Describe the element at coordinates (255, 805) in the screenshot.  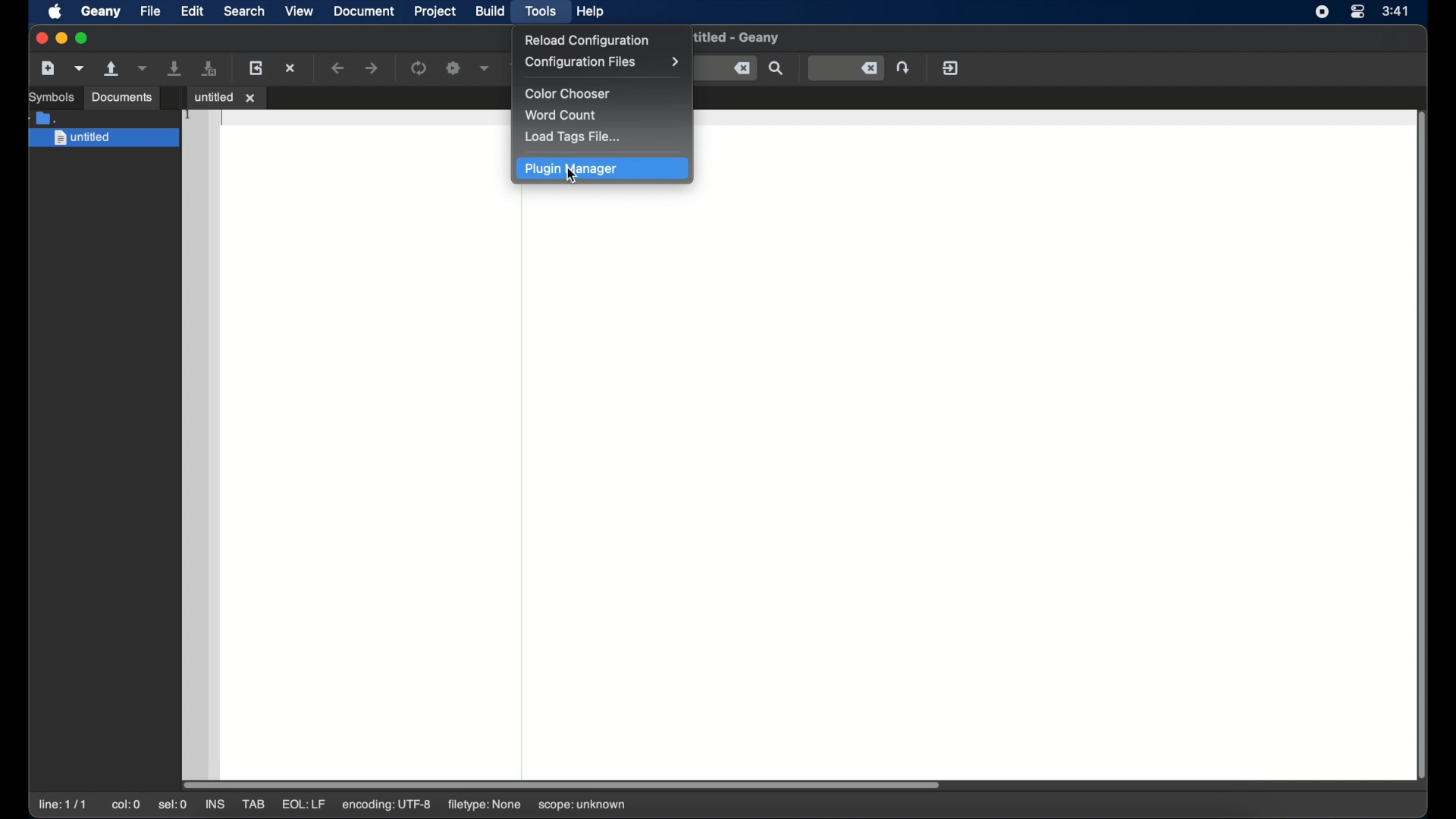
I see `tab` at that location.